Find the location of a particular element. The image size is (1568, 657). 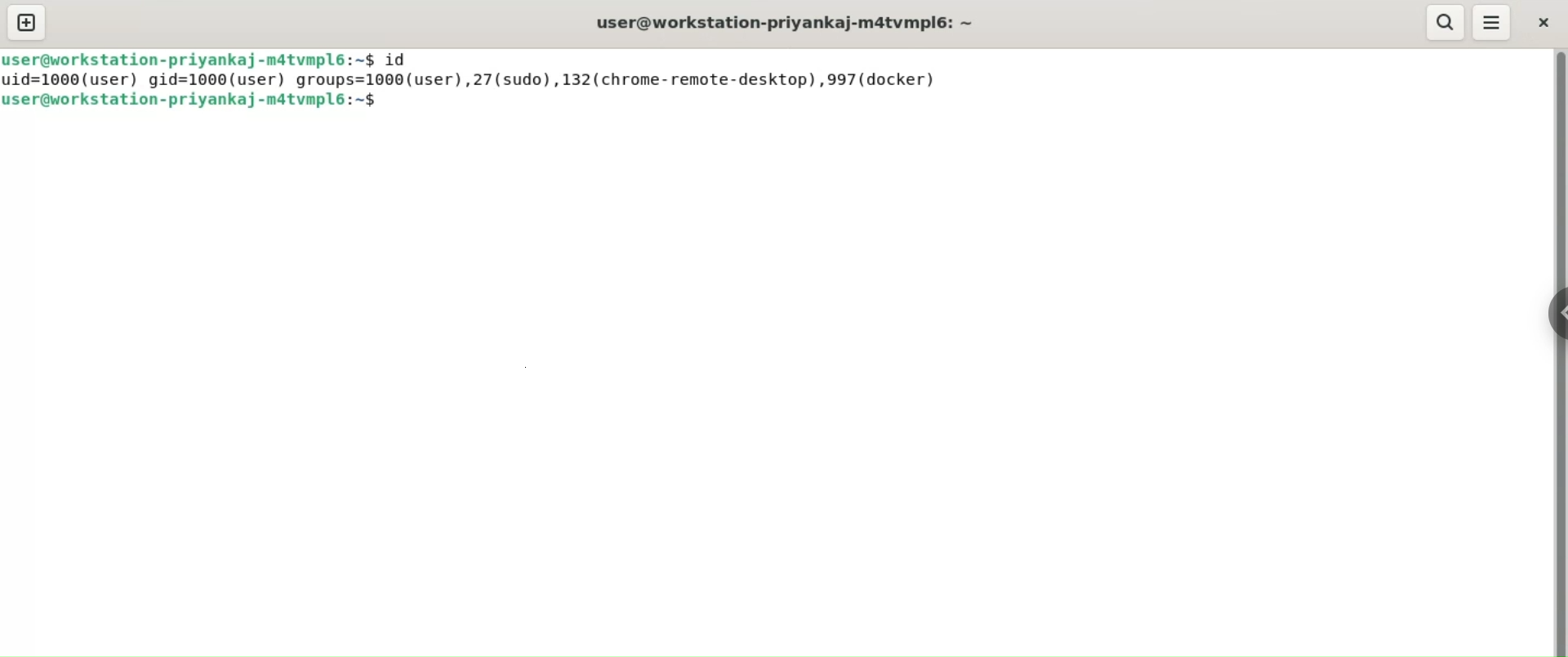

cursor is located at coordinates (394, 100).